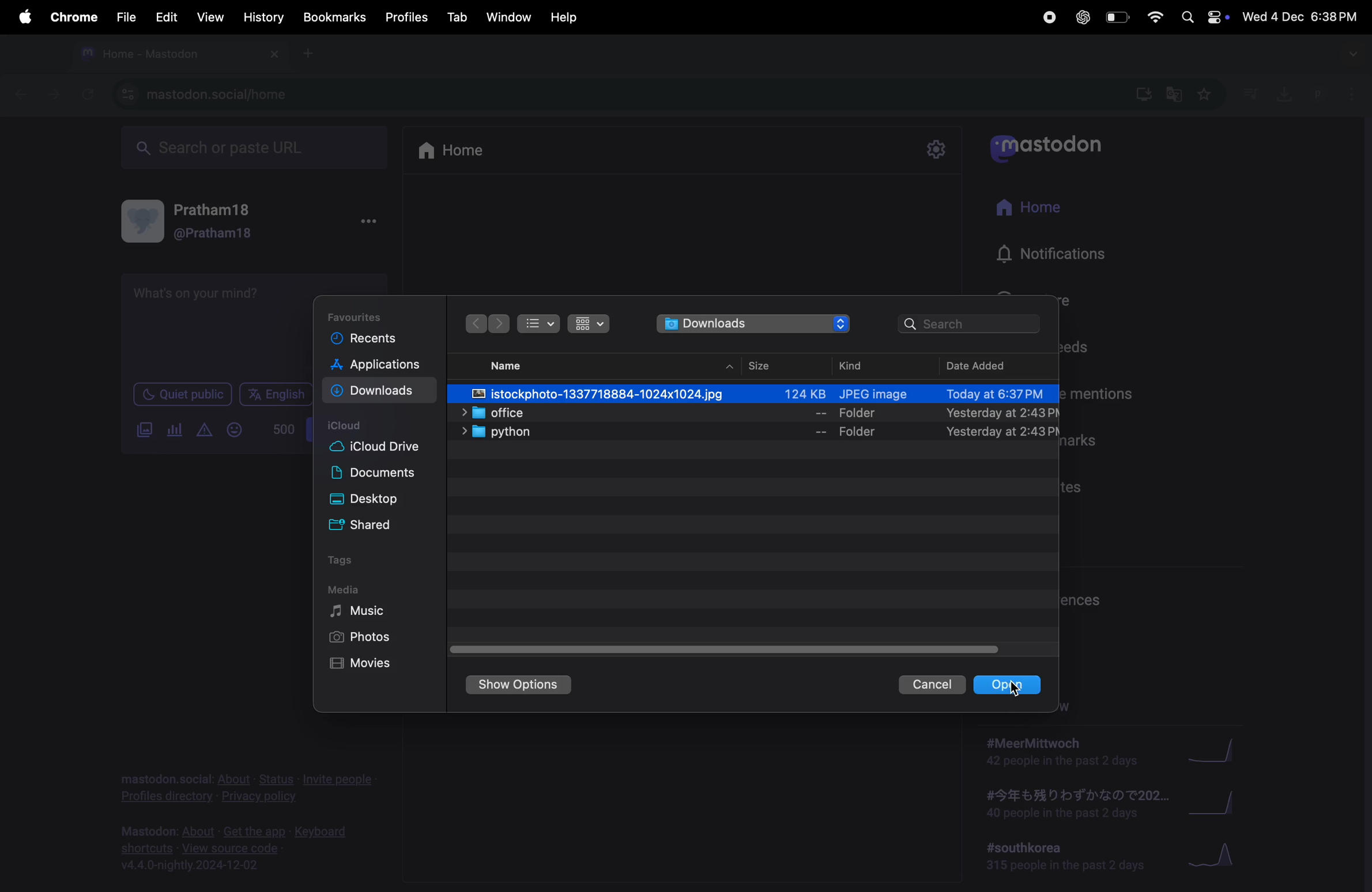 The image size is (1372, 892). I want to click on user profile, so click(201, 220).